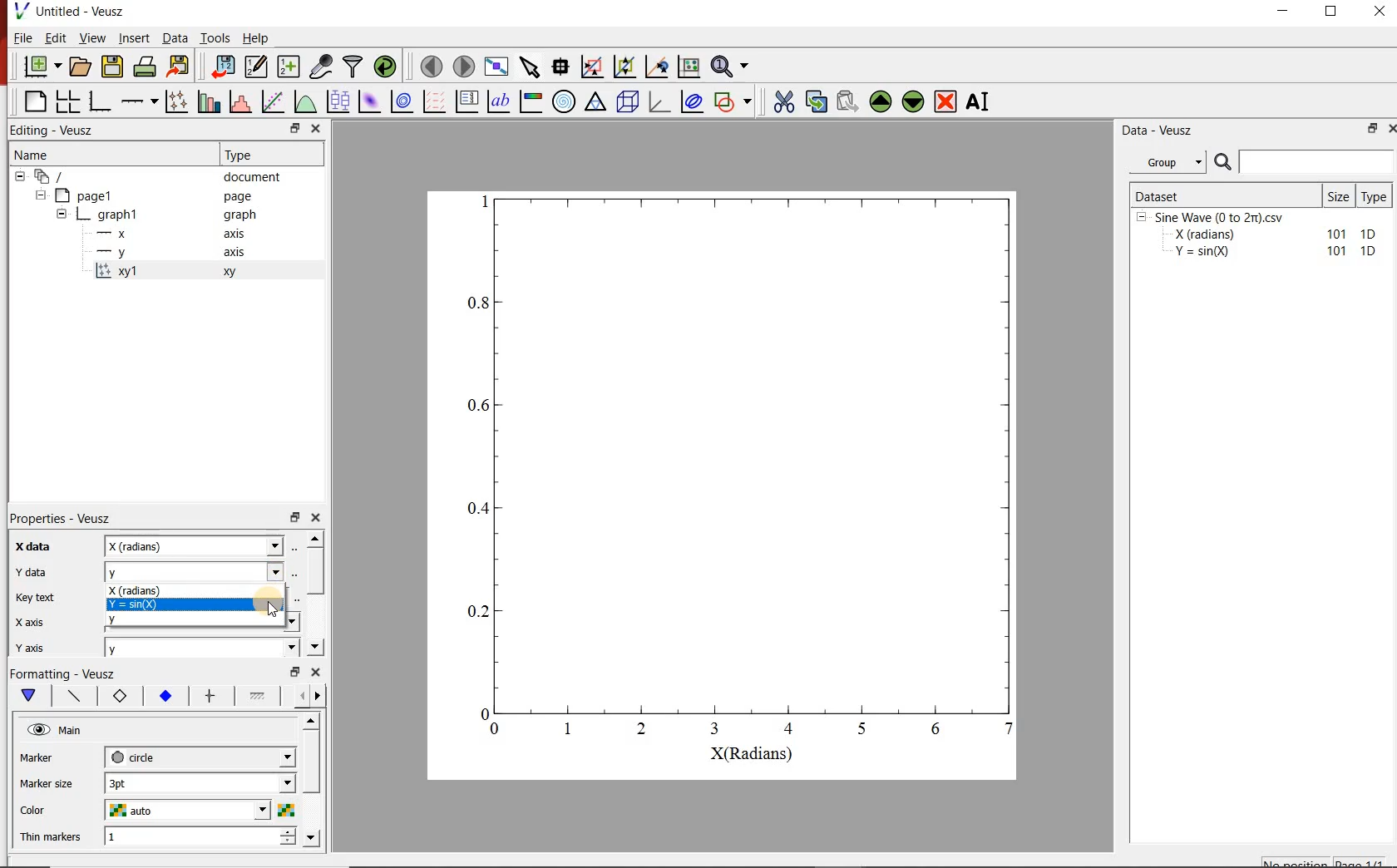  What do you see at coordinates (499, 101) in the screenshot?
I see `text label` at bounding box center [499, 101].